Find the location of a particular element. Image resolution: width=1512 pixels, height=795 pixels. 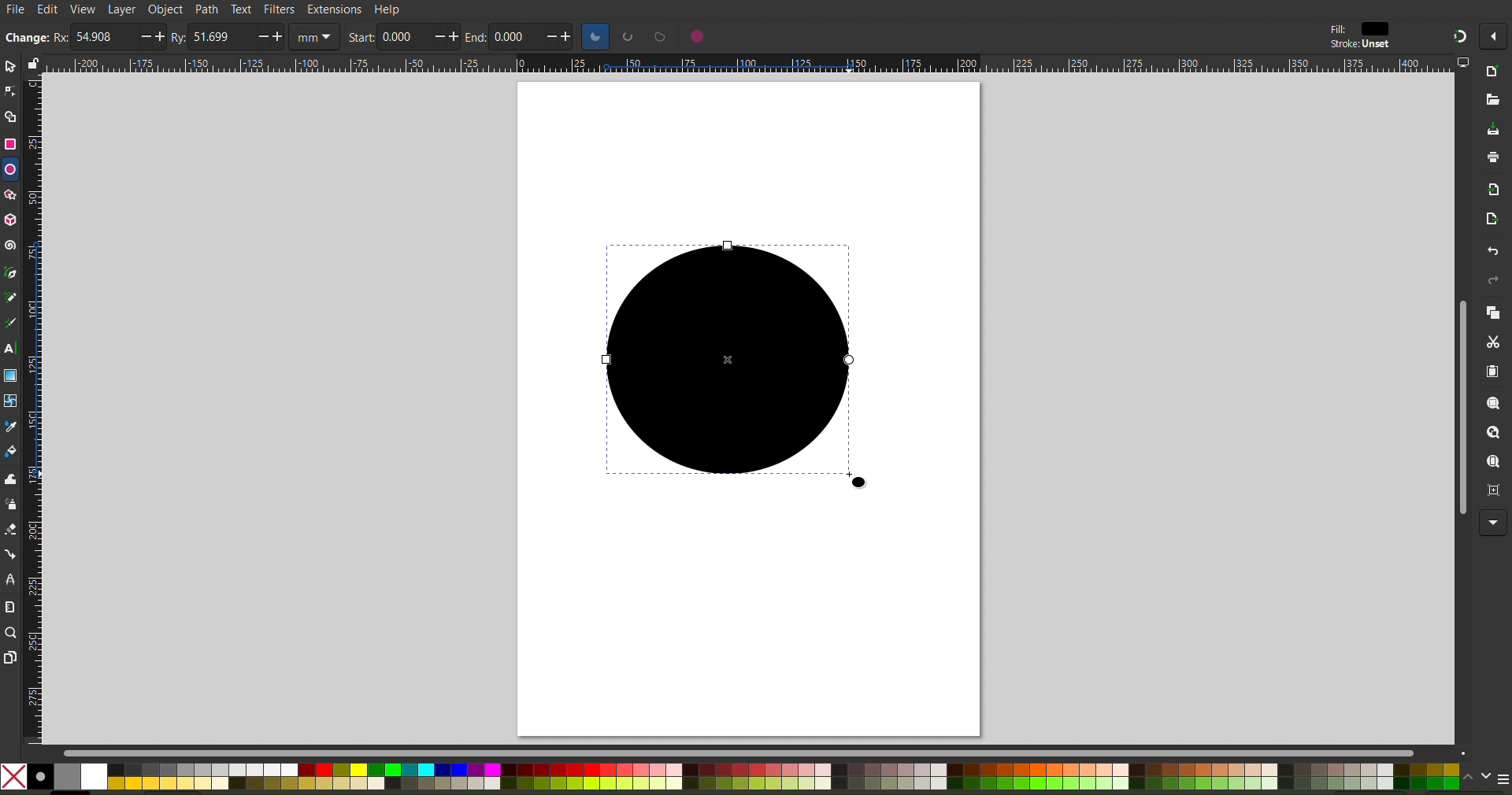

cursor is located at coordinates (871, 485).